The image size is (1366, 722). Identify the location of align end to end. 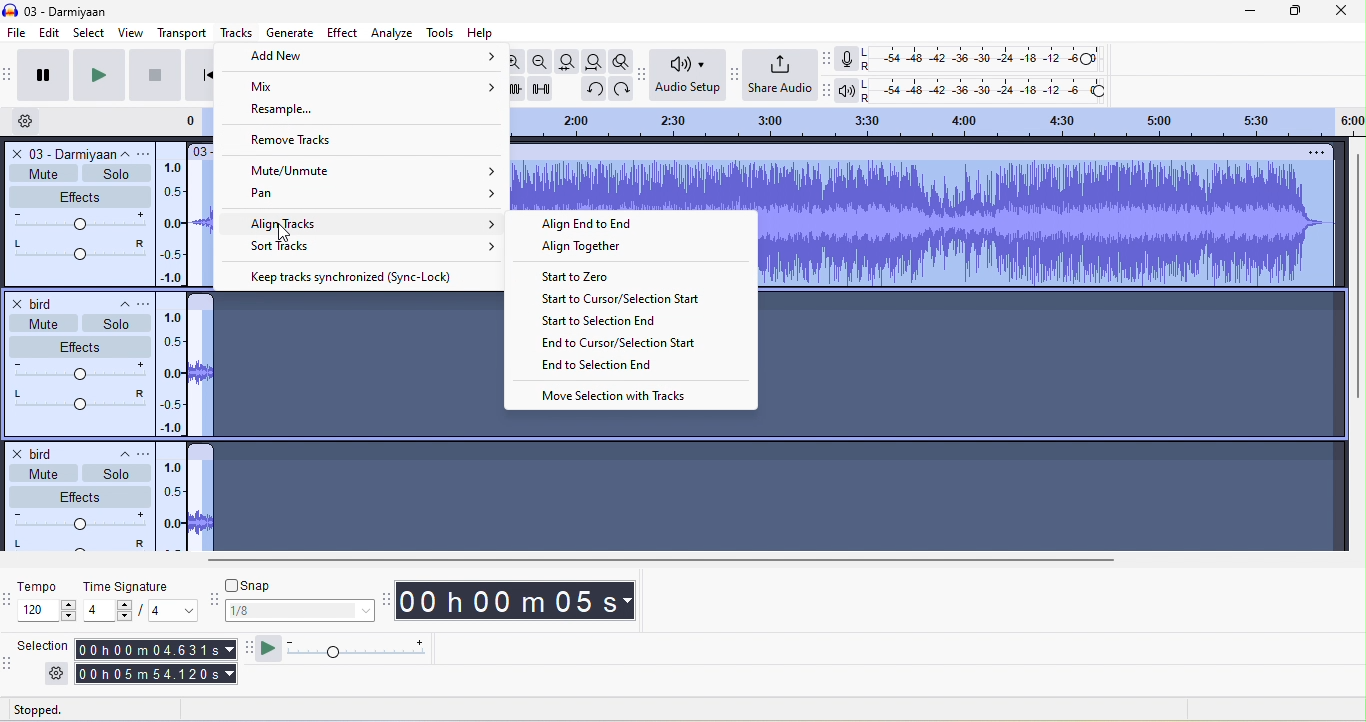
(597, 226).